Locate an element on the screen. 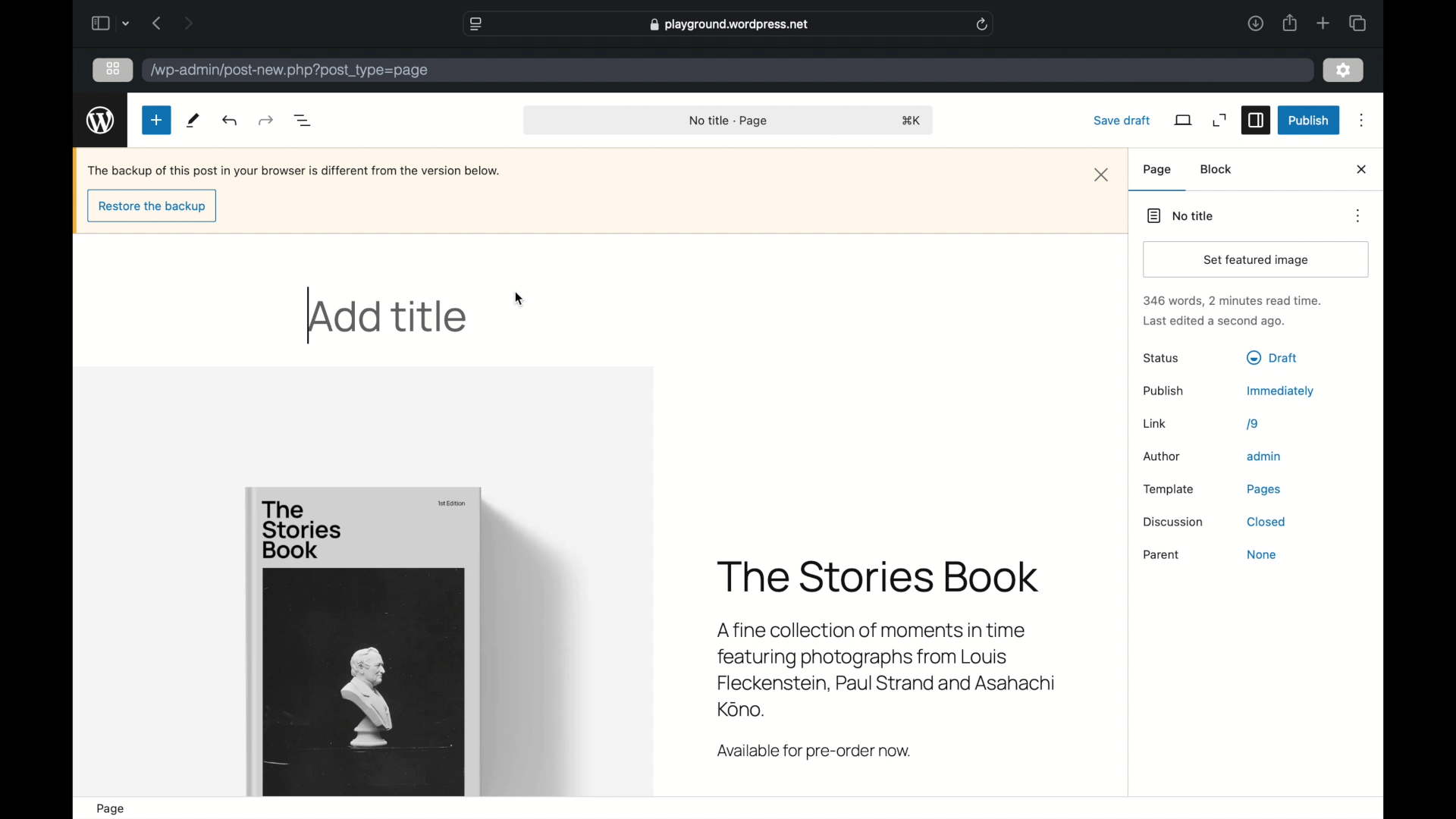  available for pre-order now is located at coordinates (816, 752).